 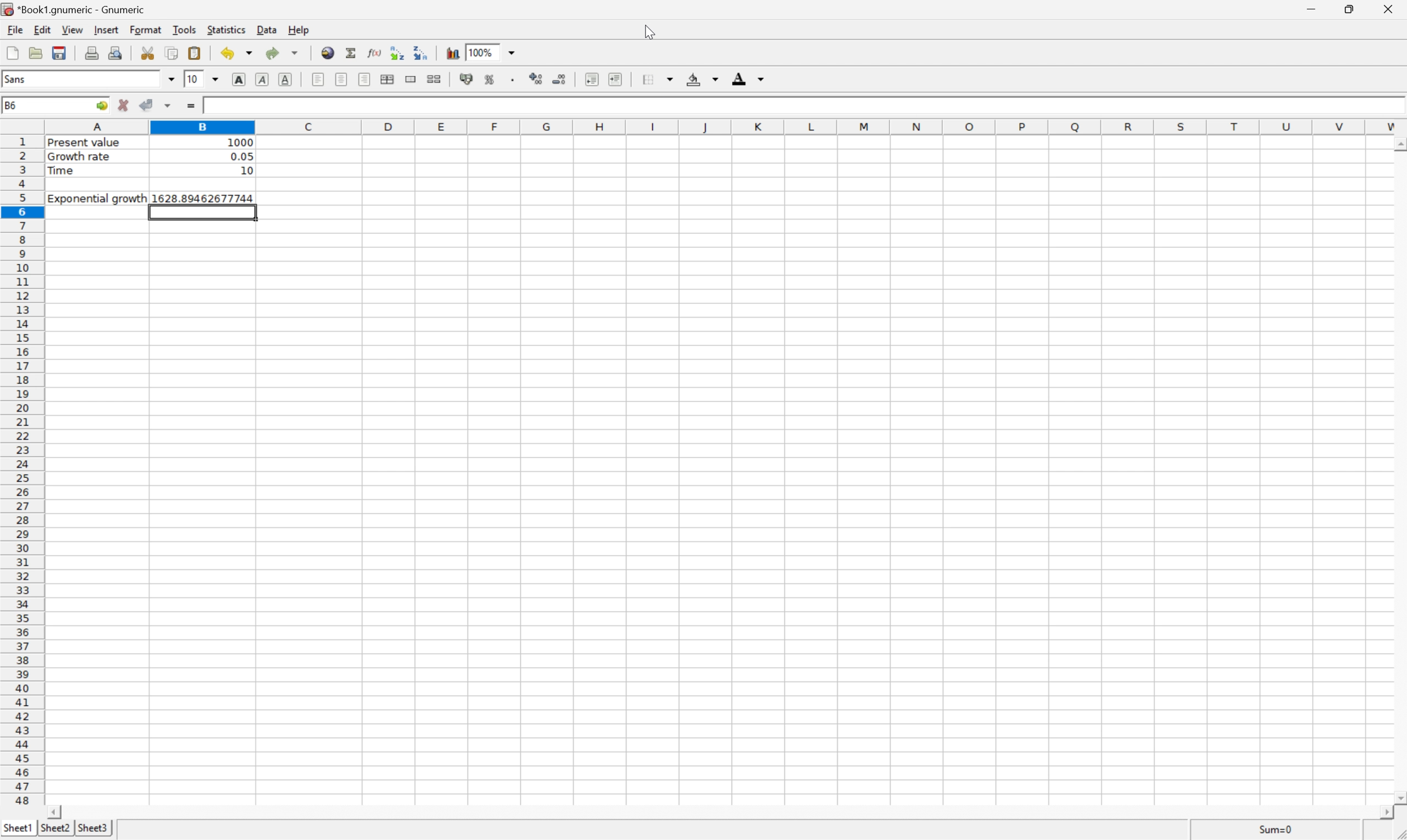 I want to click on Present value, so click(x=86, y=144).